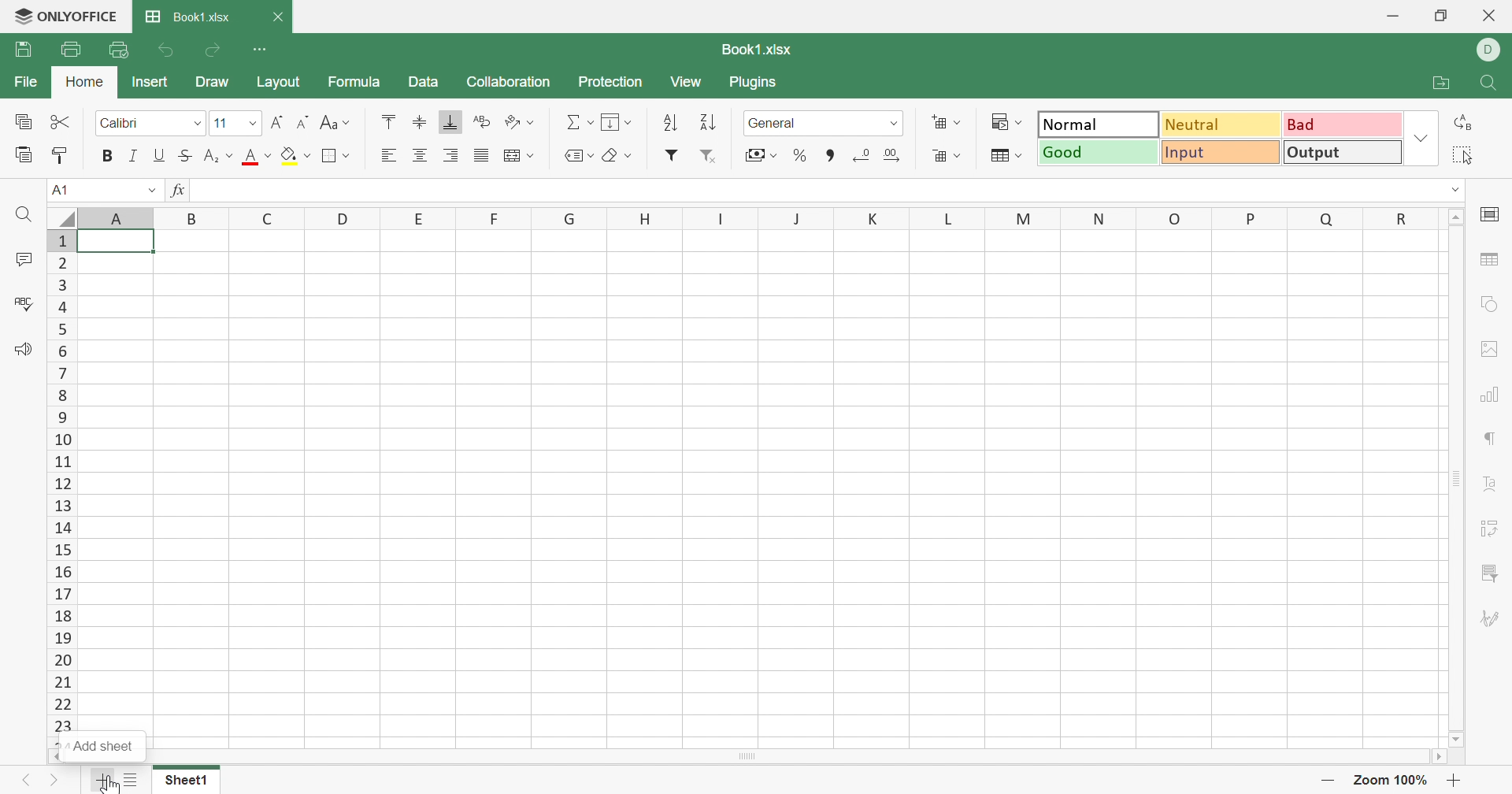  I want to click on R, so click(1398, 219).